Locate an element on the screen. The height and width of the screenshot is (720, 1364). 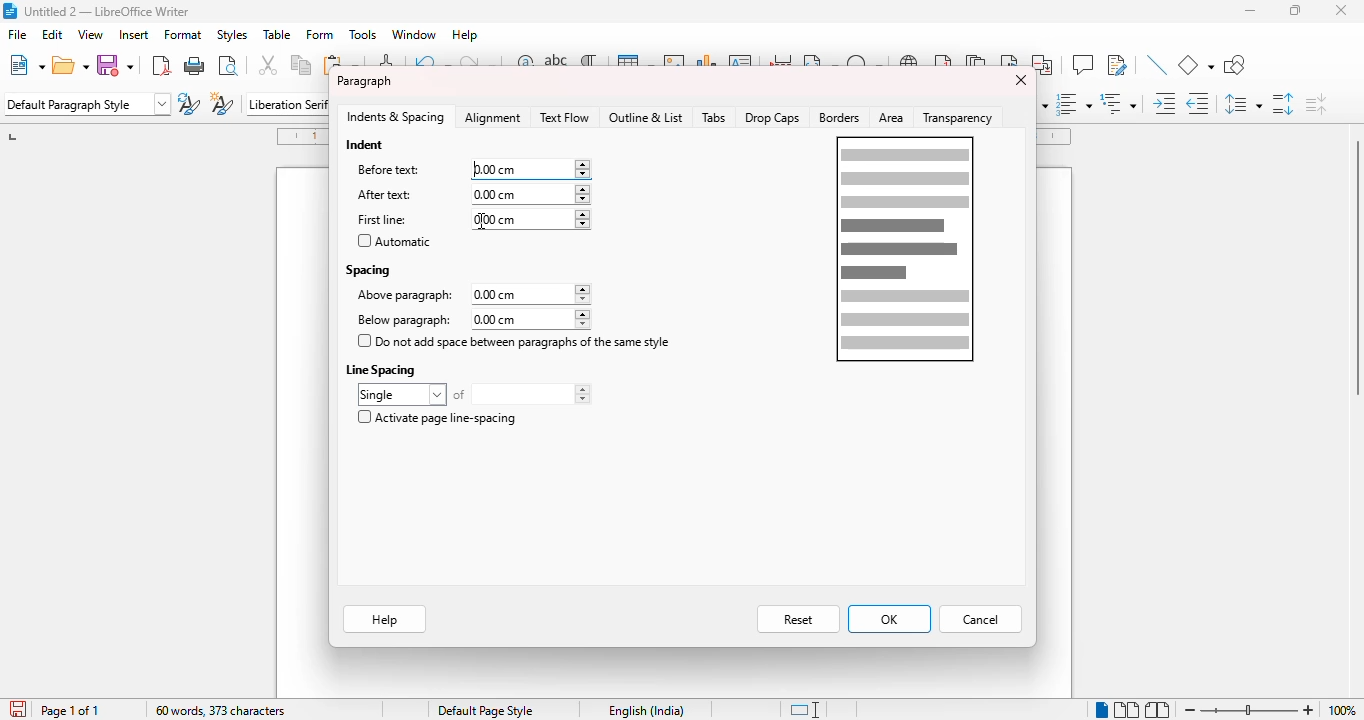
help is located at coordinates (466, 35).